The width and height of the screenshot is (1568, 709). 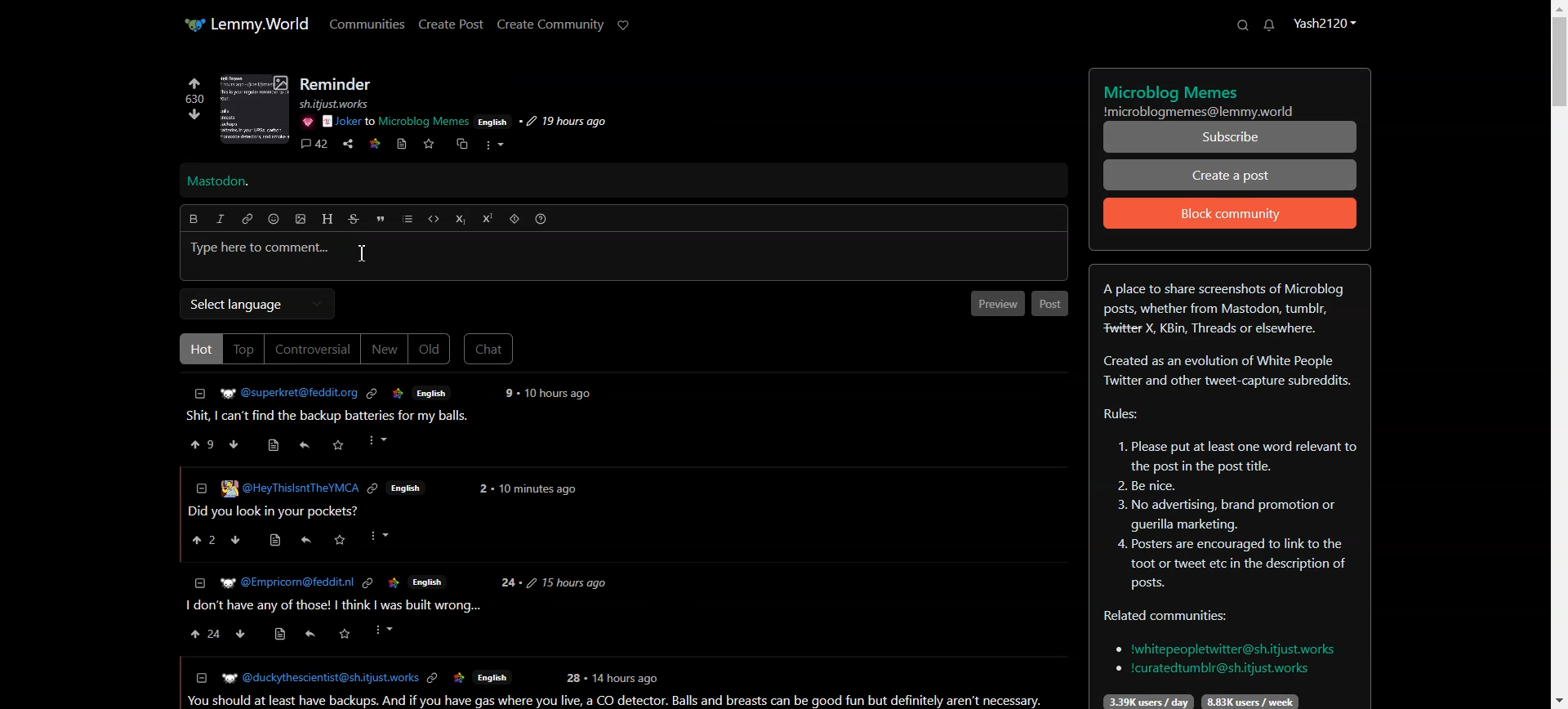 I want to click on Top, so click(x=243, y=349).